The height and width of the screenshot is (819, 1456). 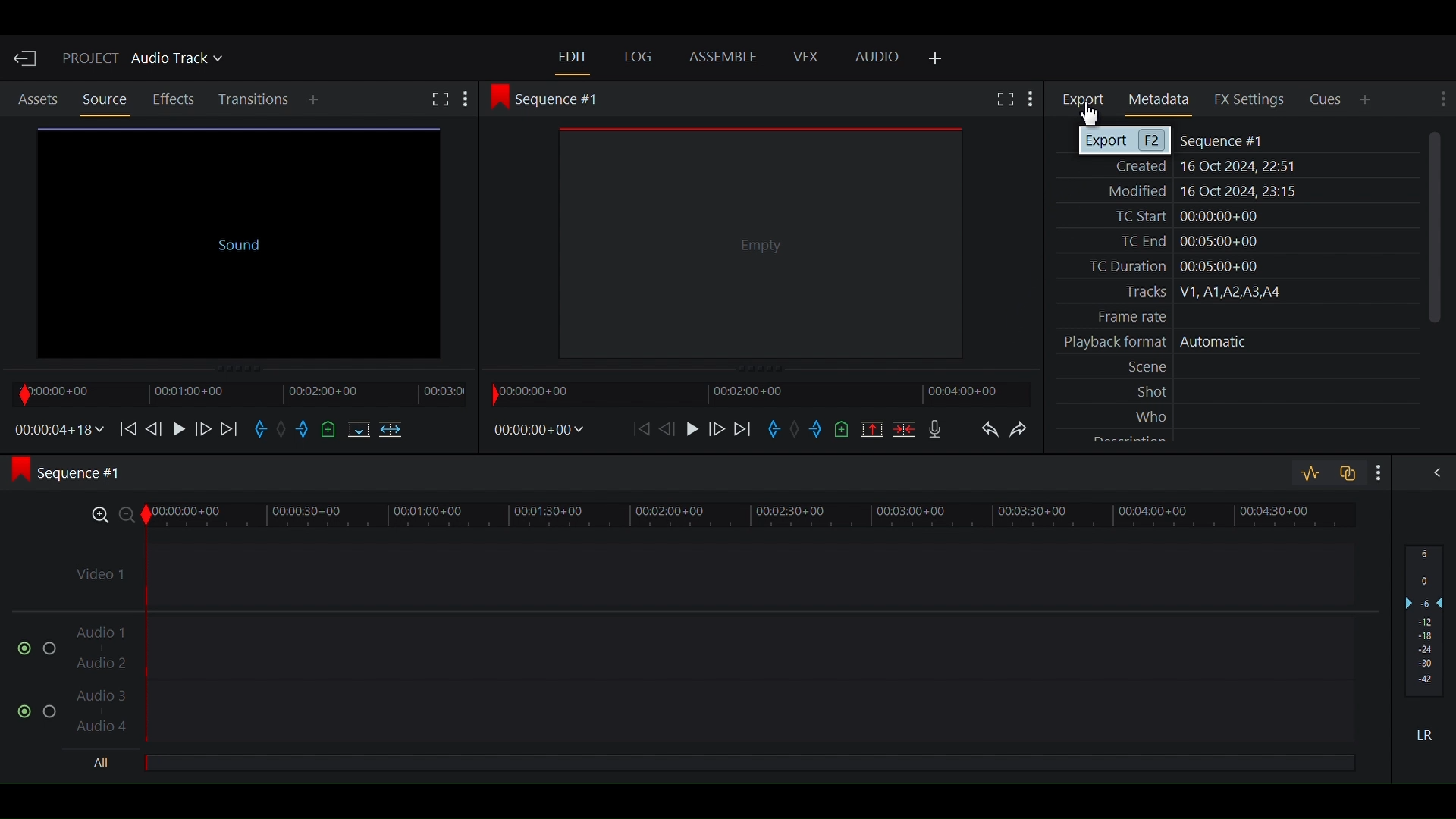 I want to click on Enable/Disable, so click(x=30, y=647).